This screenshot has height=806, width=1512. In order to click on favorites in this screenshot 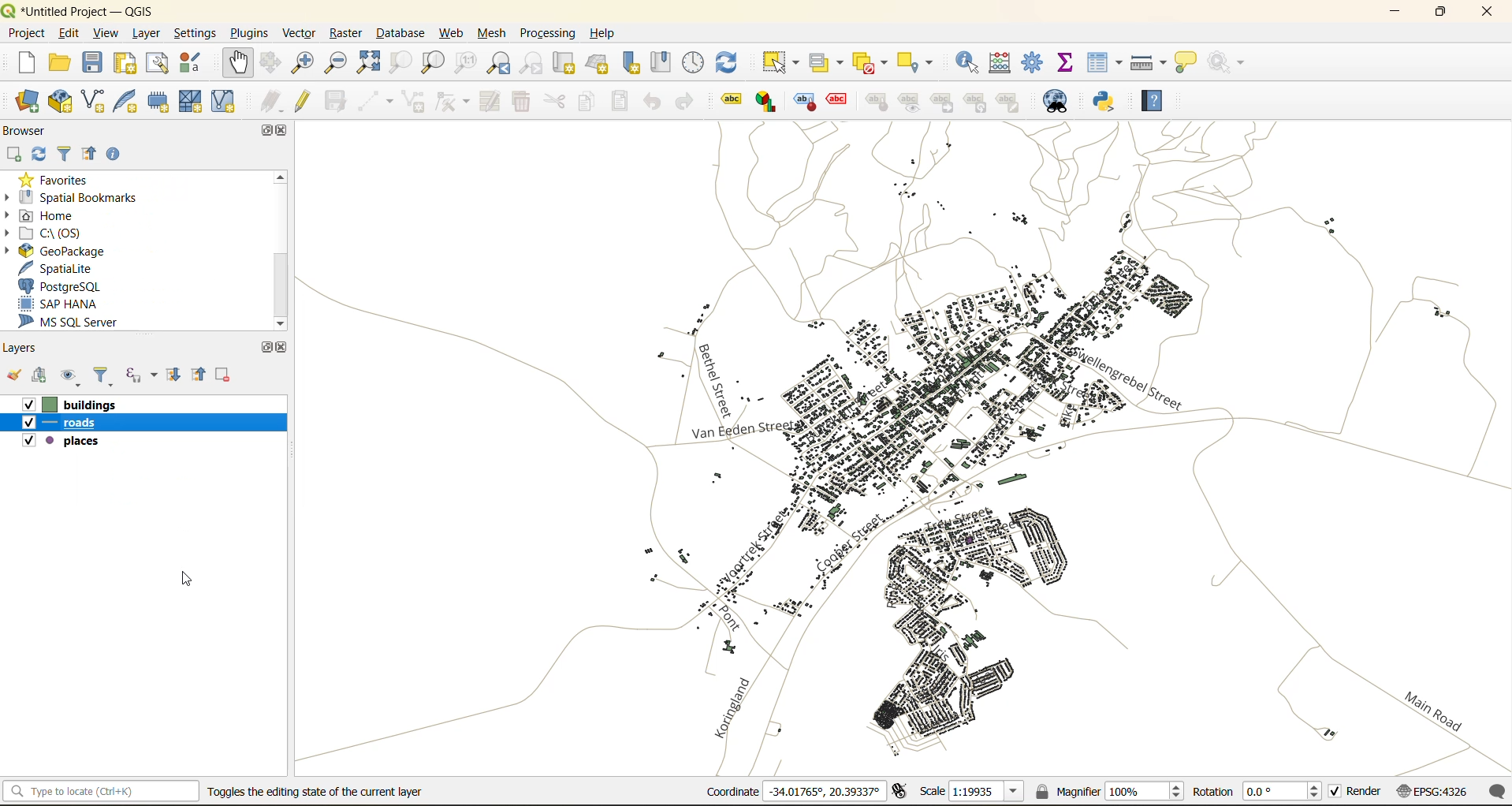, I will do `click(61, 182)`.